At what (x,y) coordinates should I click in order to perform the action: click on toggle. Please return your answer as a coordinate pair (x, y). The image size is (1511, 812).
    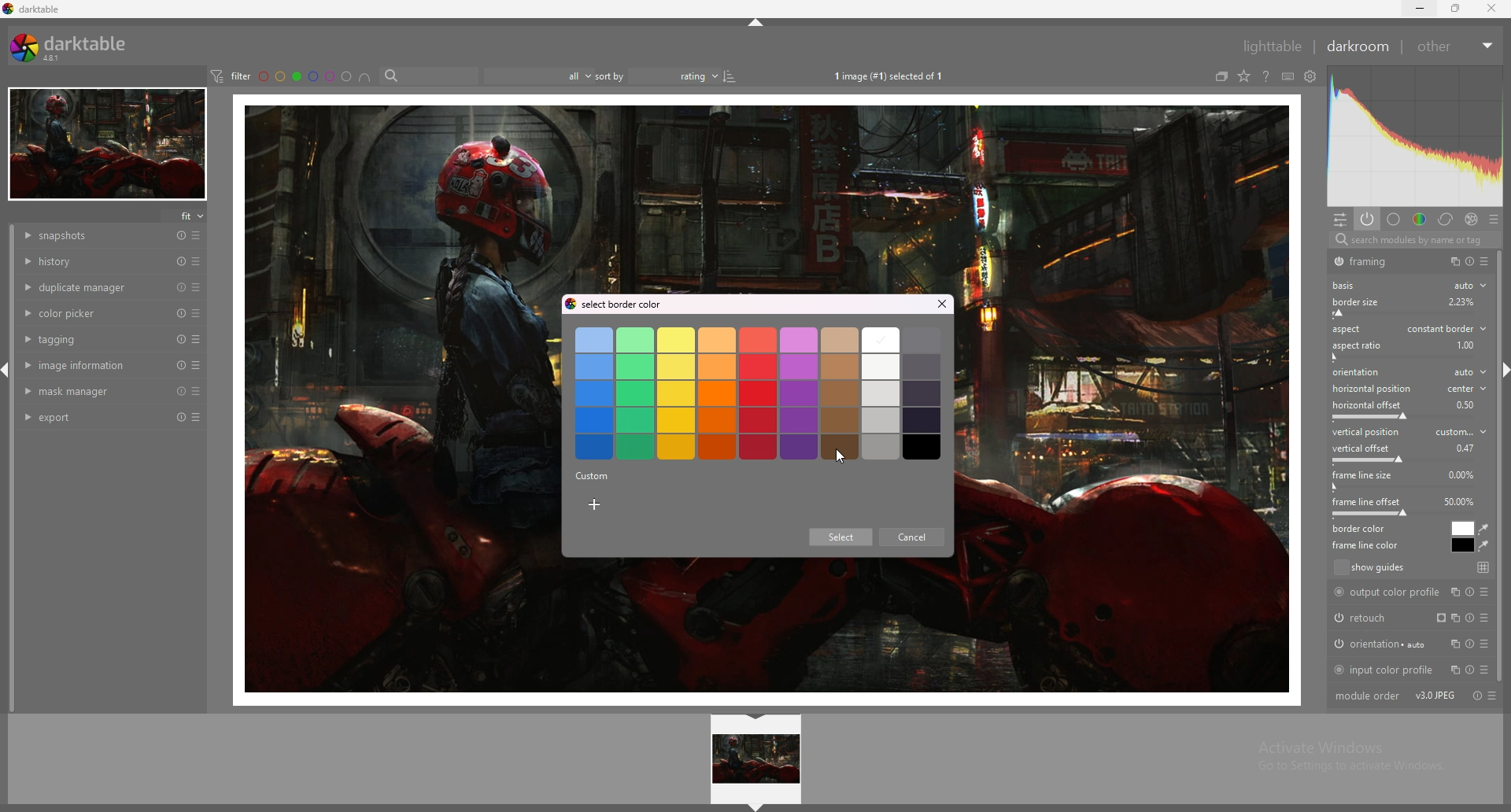
    Looking at the image, I should click on (1472, 262).